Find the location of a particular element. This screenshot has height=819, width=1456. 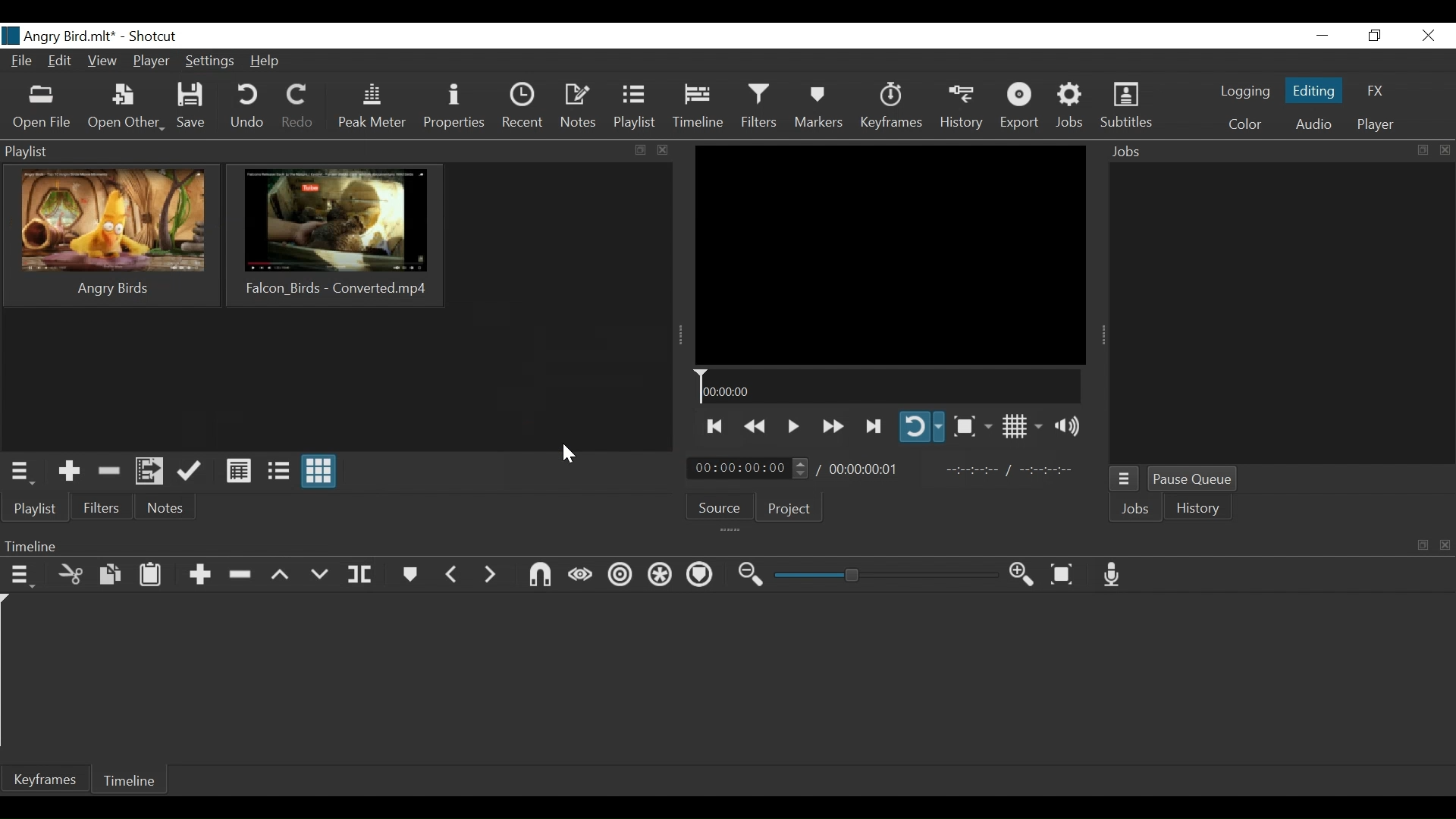

Copy is located at coordinates (111, 577).